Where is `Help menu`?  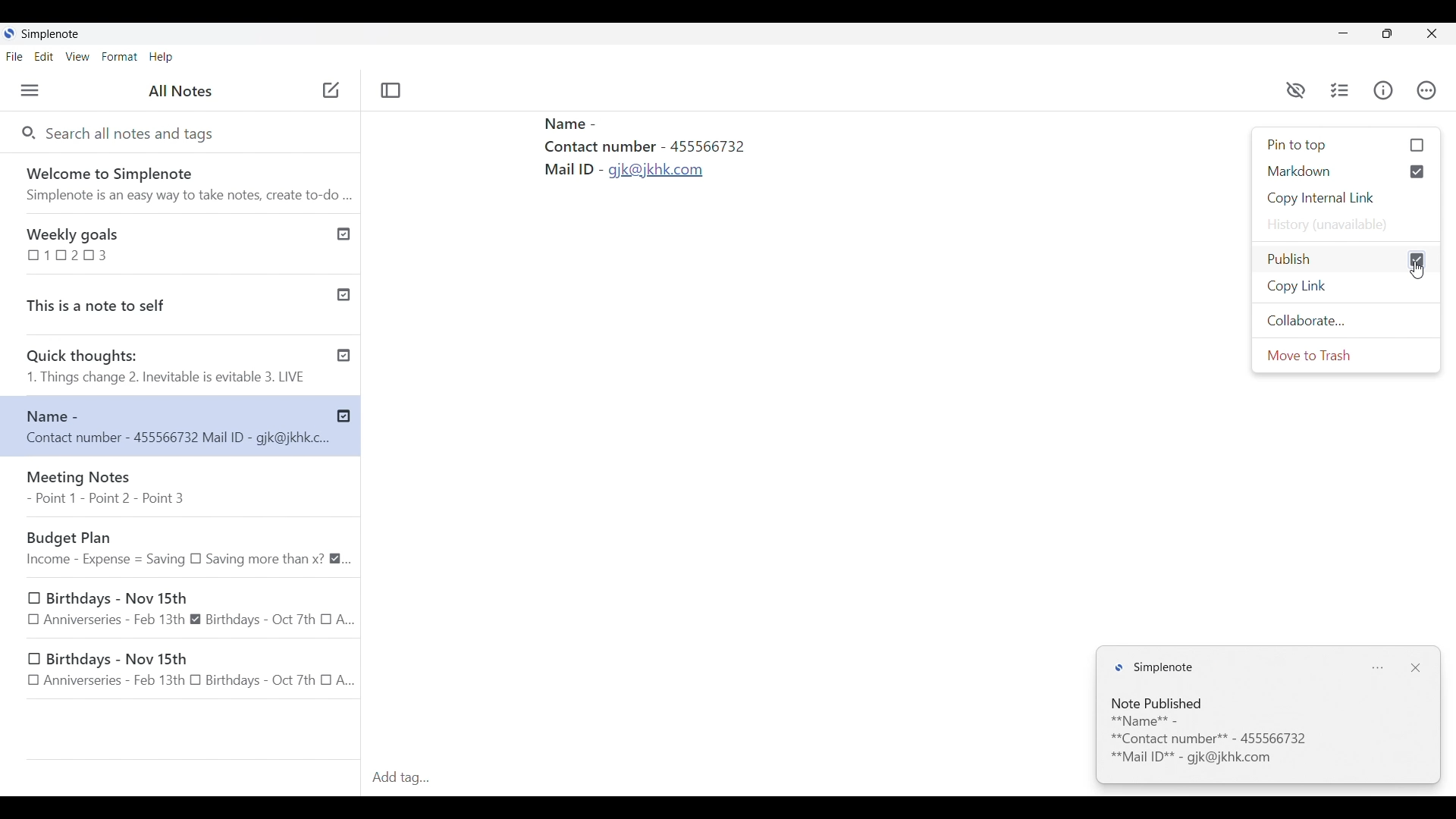 Help menu is located at coordinates (162, 57).